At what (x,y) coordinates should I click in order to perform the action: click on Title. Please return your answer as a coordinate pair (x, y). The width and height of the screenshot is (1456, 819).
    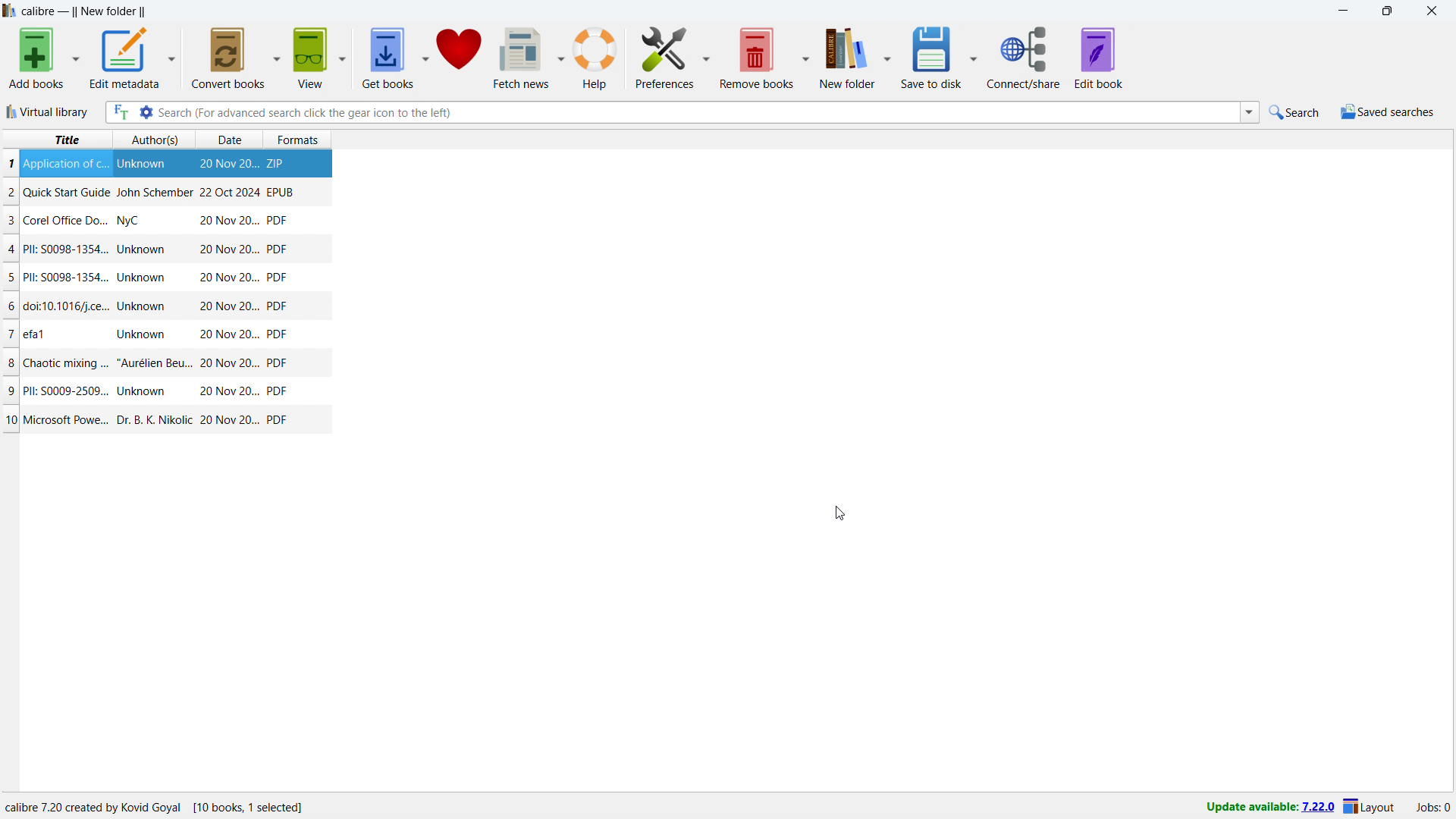
    Looking at the image, I should click on (70, 220).